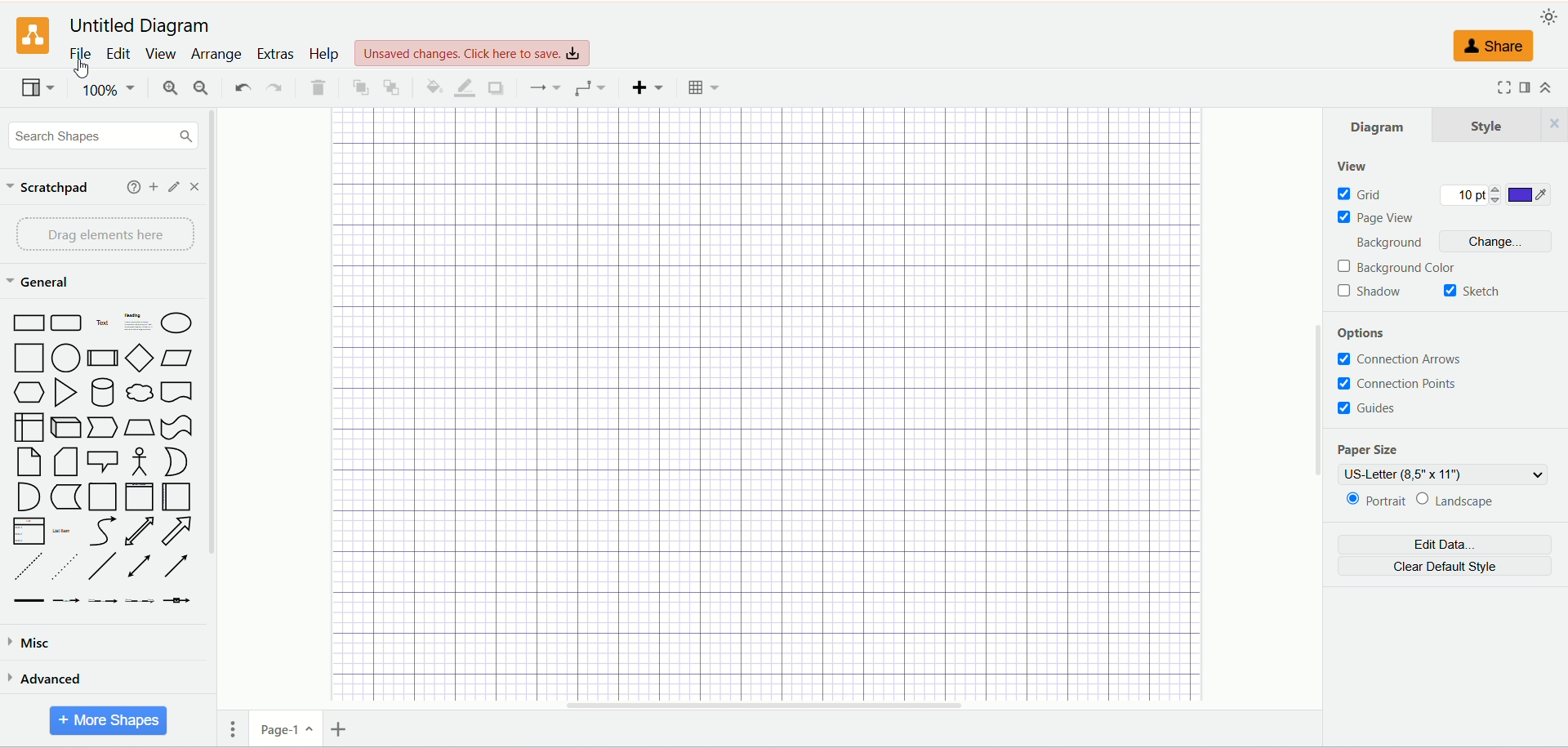  What do you see at coordinates (1371, 335) in the screenshot?
I see `options` at bounding box center [1371, 335].